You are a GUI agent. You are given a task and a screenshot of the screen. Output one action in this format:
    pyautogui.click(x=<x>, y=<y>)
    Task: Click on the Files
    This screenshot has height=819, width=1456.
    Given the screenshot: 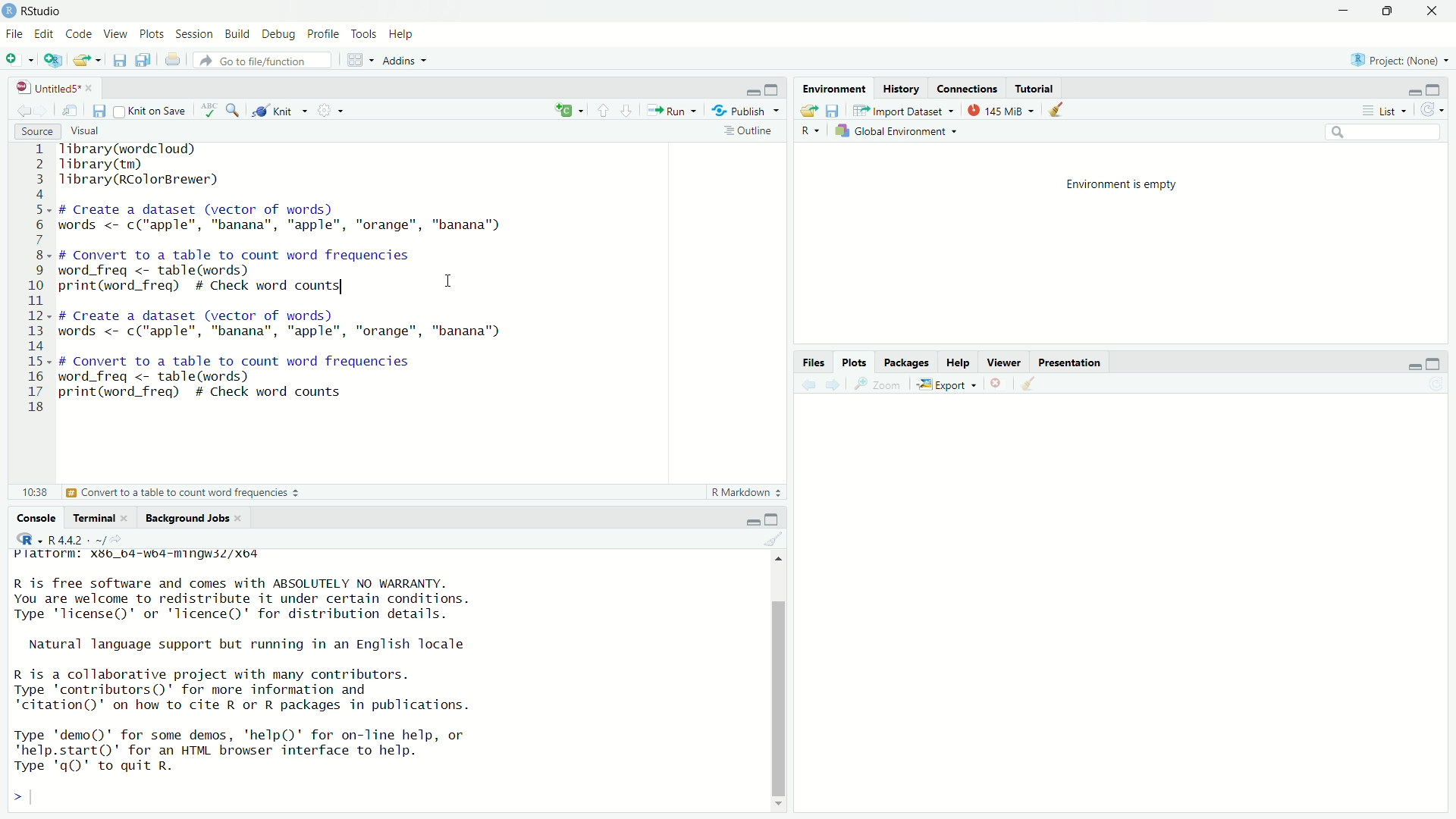 What is the action you would take?
    pyautogui.click(x=819, y=363)
    